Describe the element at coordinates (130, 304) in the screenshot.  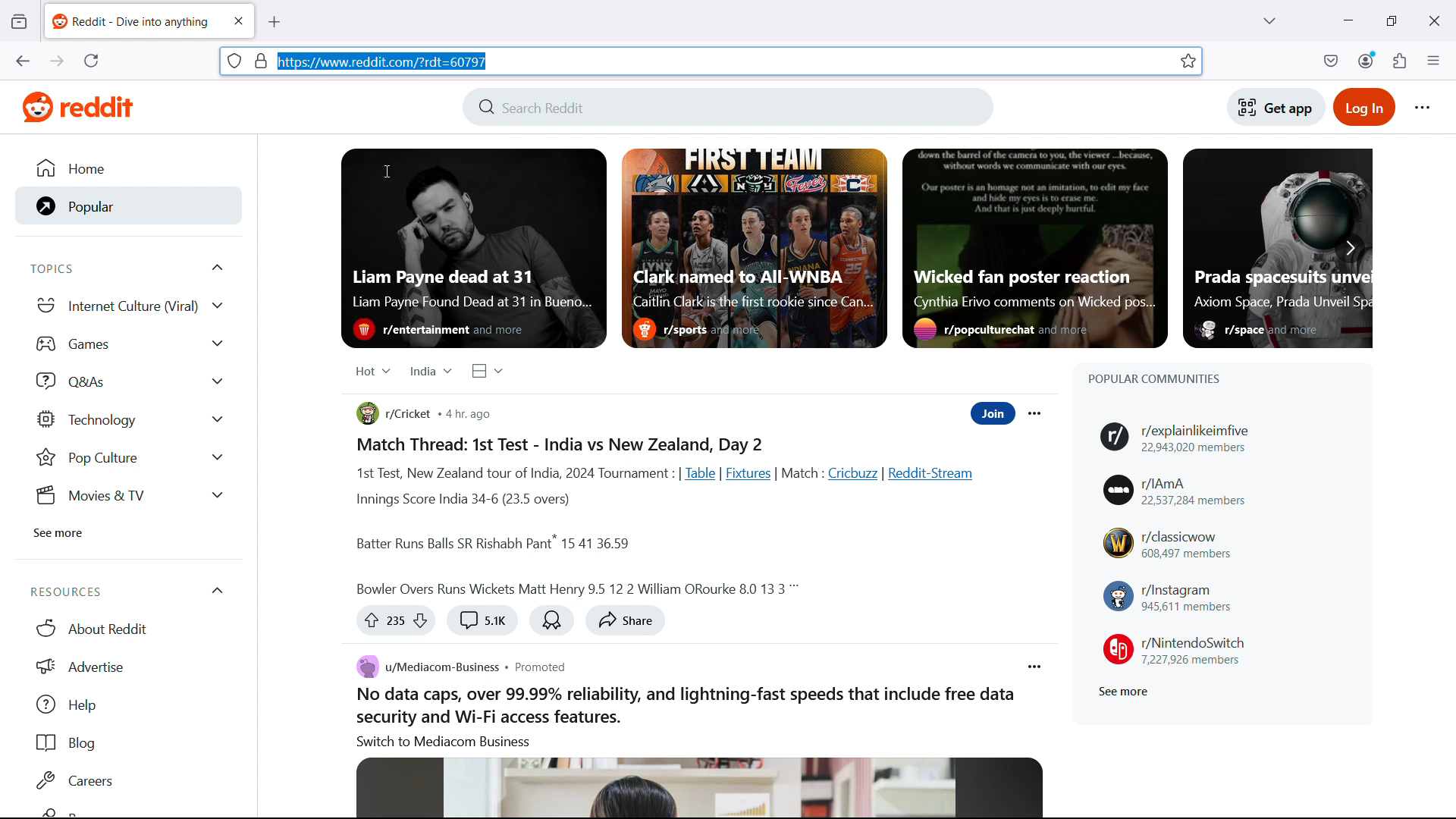
I see `Internet culture viral` at that location.